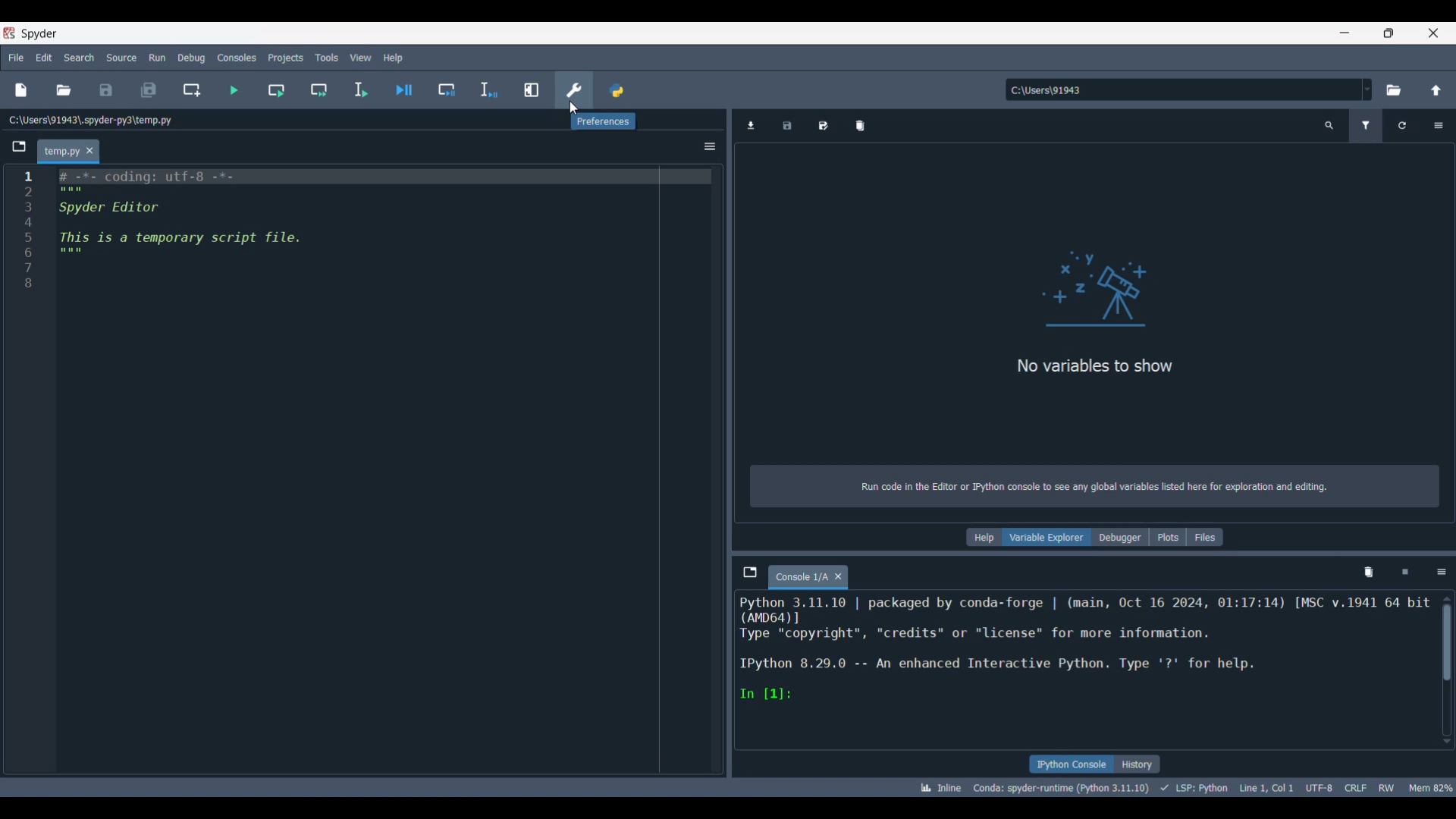 The image size is (1456, 819). Describe the element at coordinates (359, 90) in the screenshot. I see `Run selection/current line` at that location.